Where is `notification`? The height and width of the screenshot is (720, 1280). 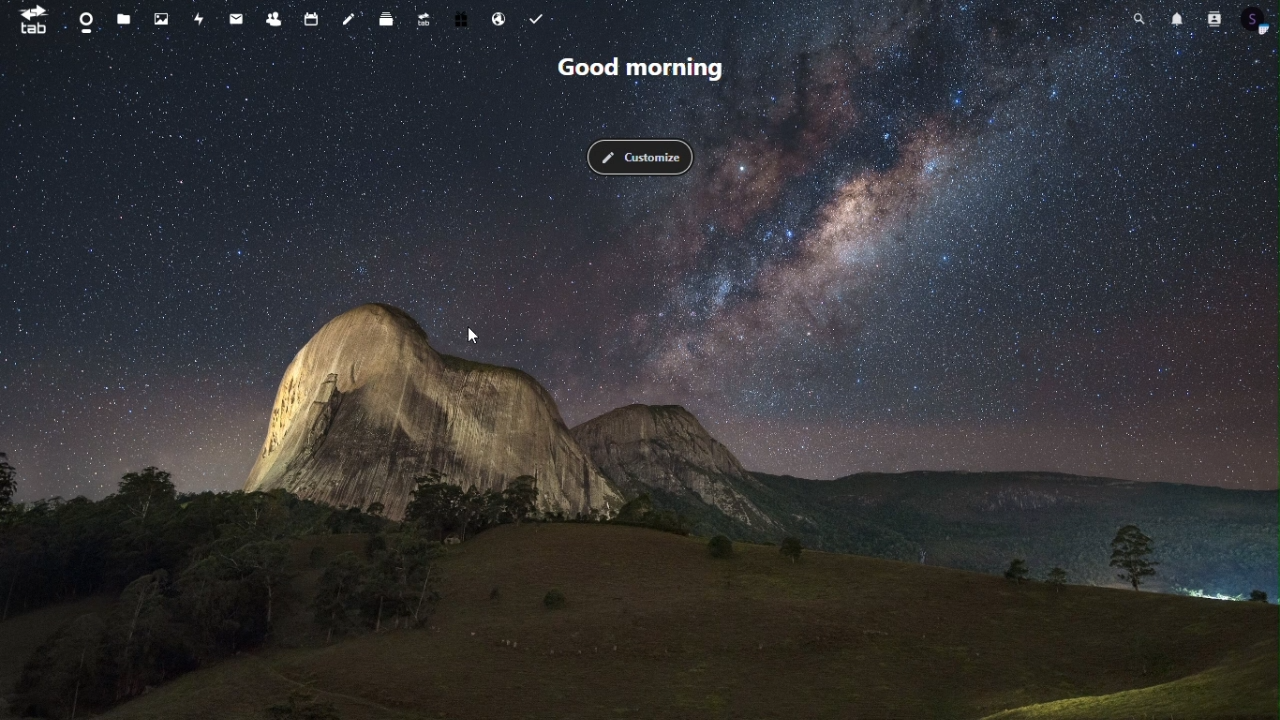 notification is located at coordinates (1175, 18).